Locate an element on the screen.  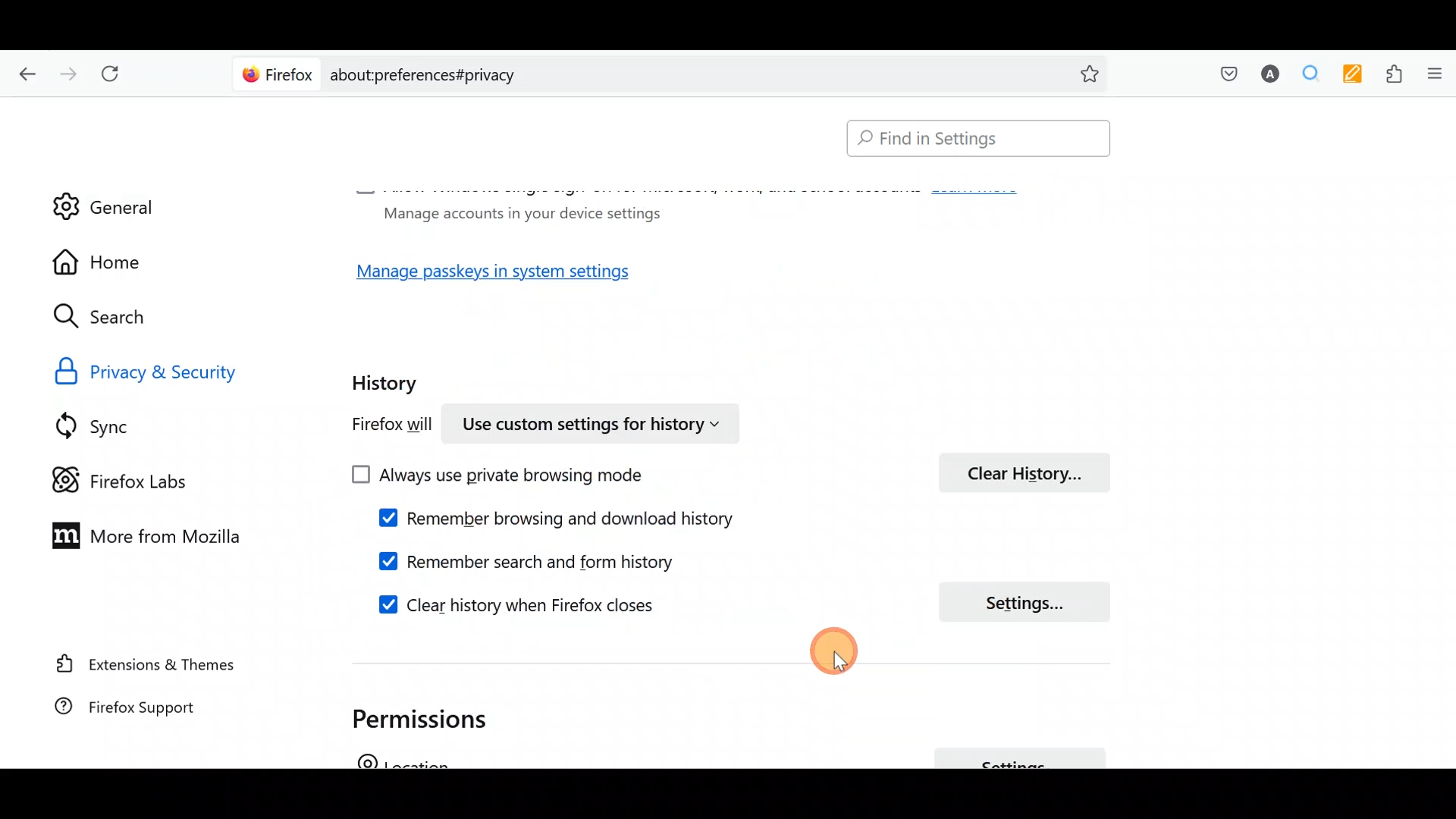
Open application menu is located at coordinates (1433, 75).